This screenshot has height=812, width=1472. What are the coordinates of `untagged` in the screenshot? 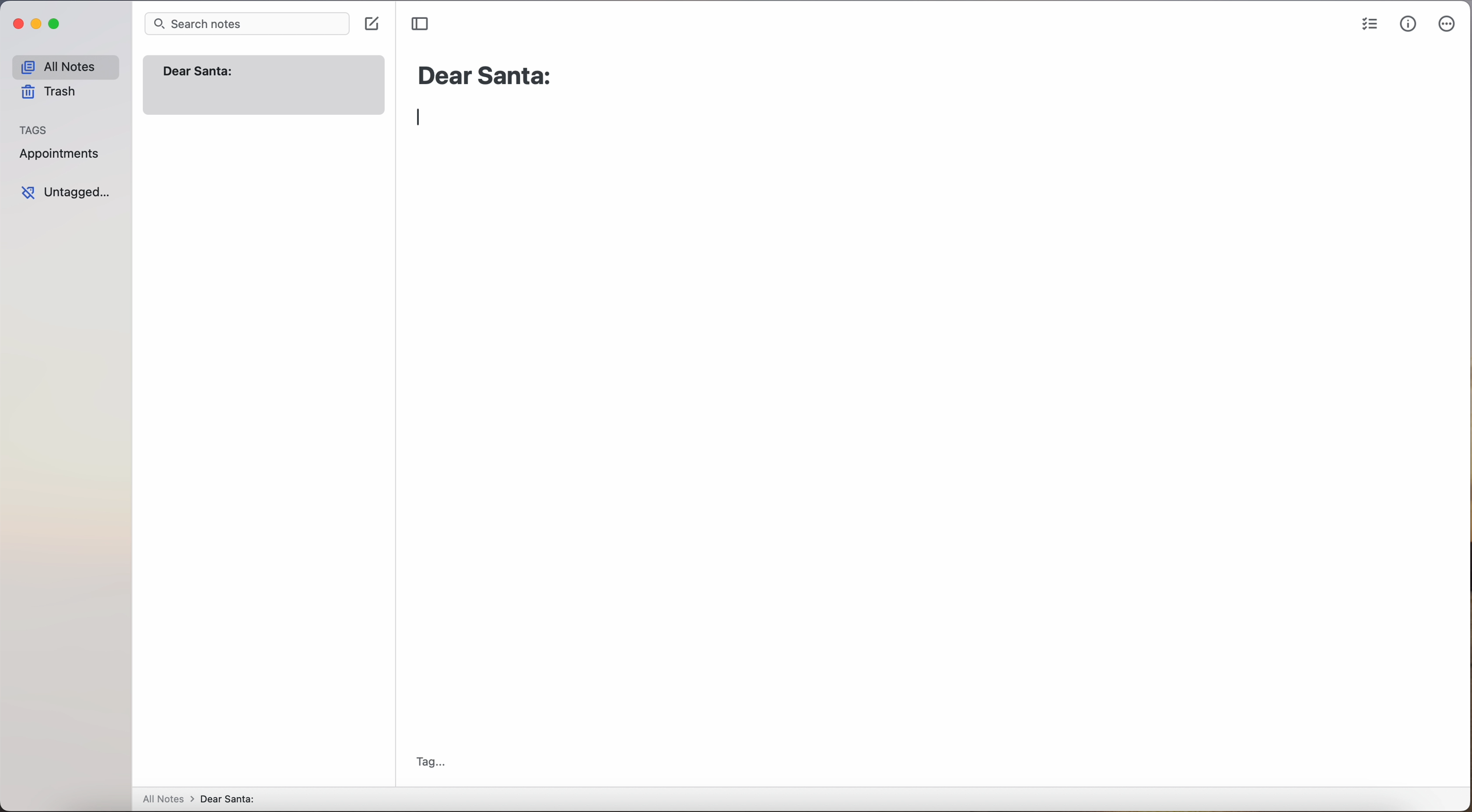 It's located at (71, 193).